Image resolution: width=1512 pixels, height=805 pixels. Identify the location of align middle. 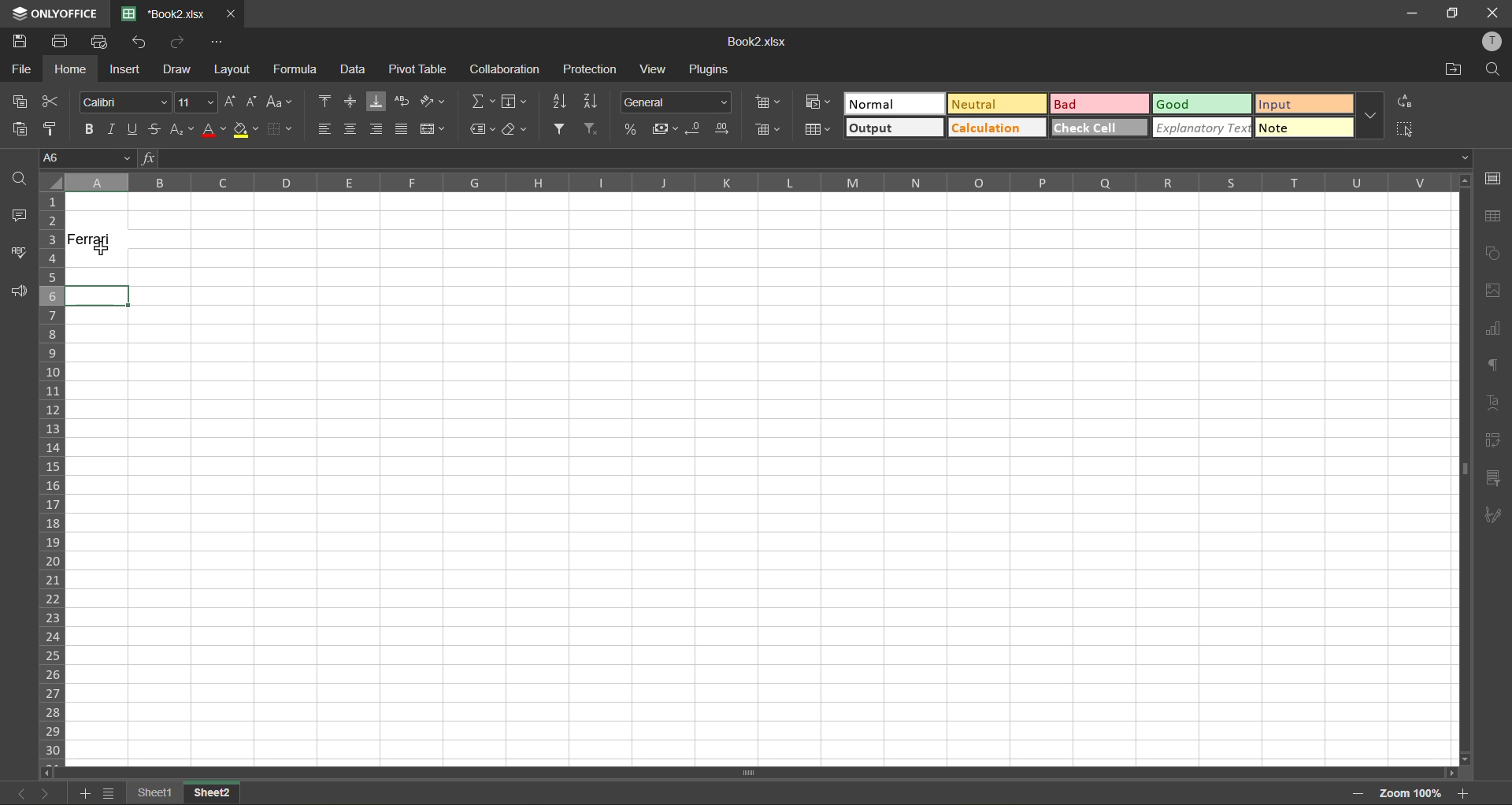
(351, 101).